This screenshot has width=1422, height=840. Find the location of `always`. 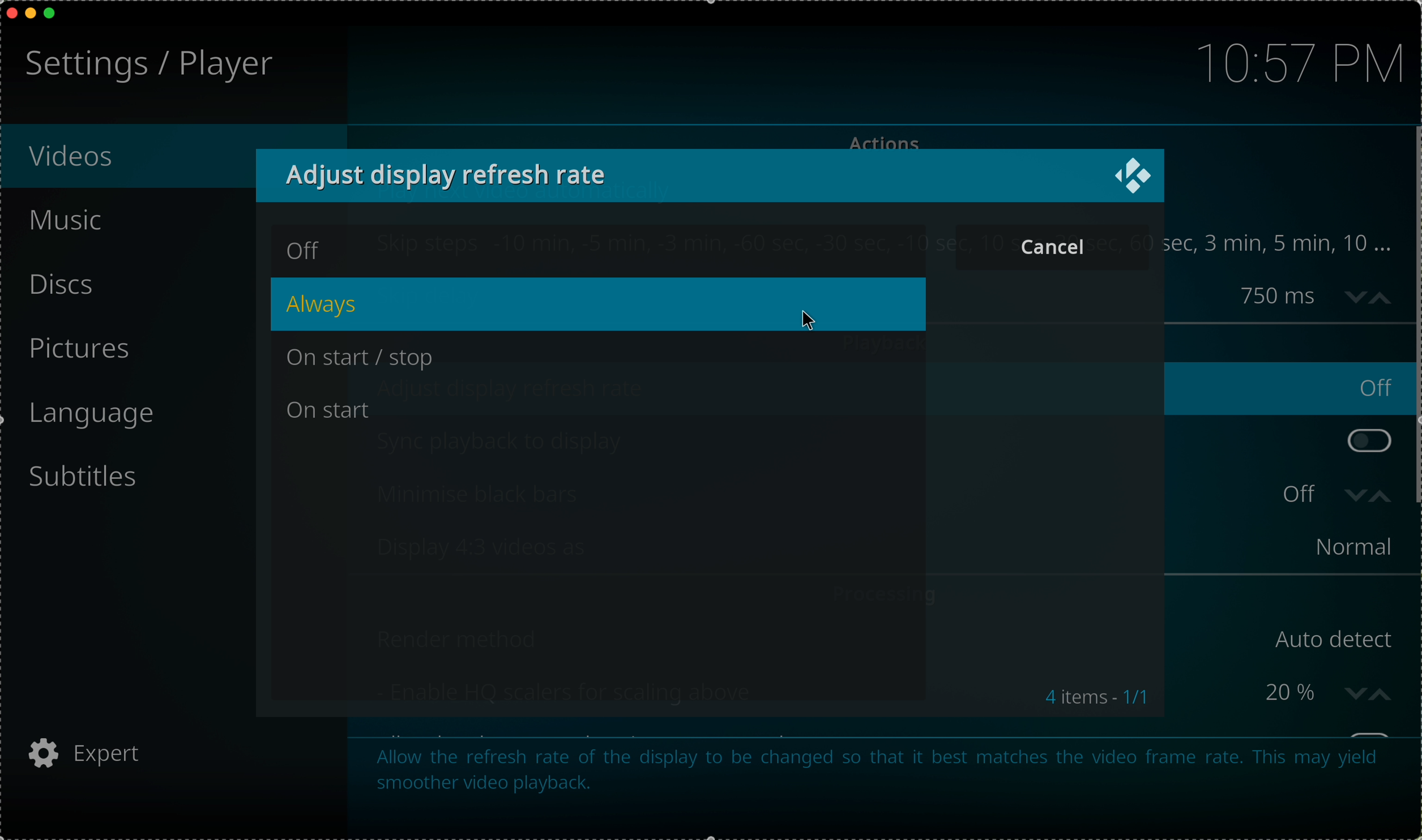

always is located at coordinates (597, 305).